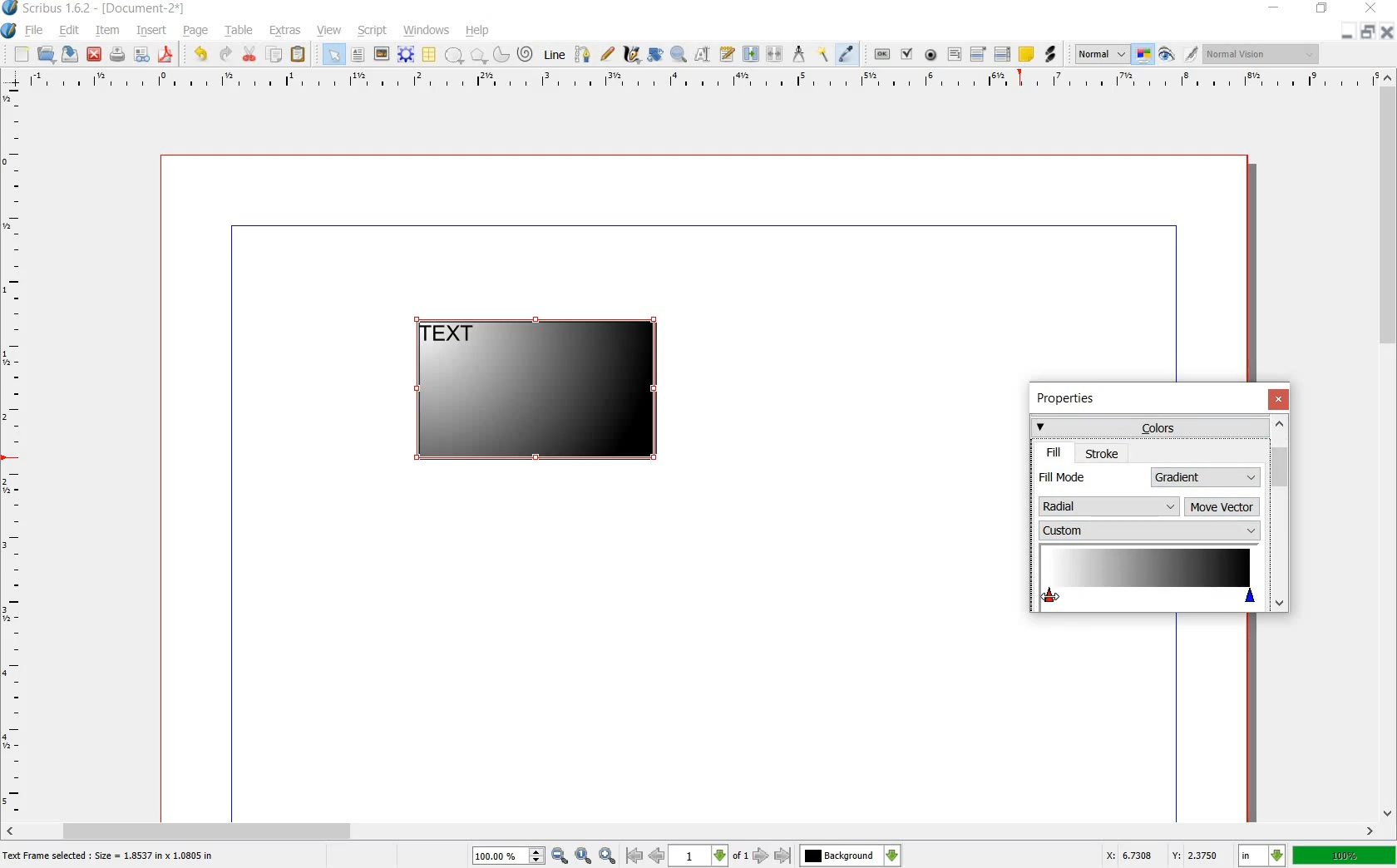  I want to click on paste, so click(299, 55).